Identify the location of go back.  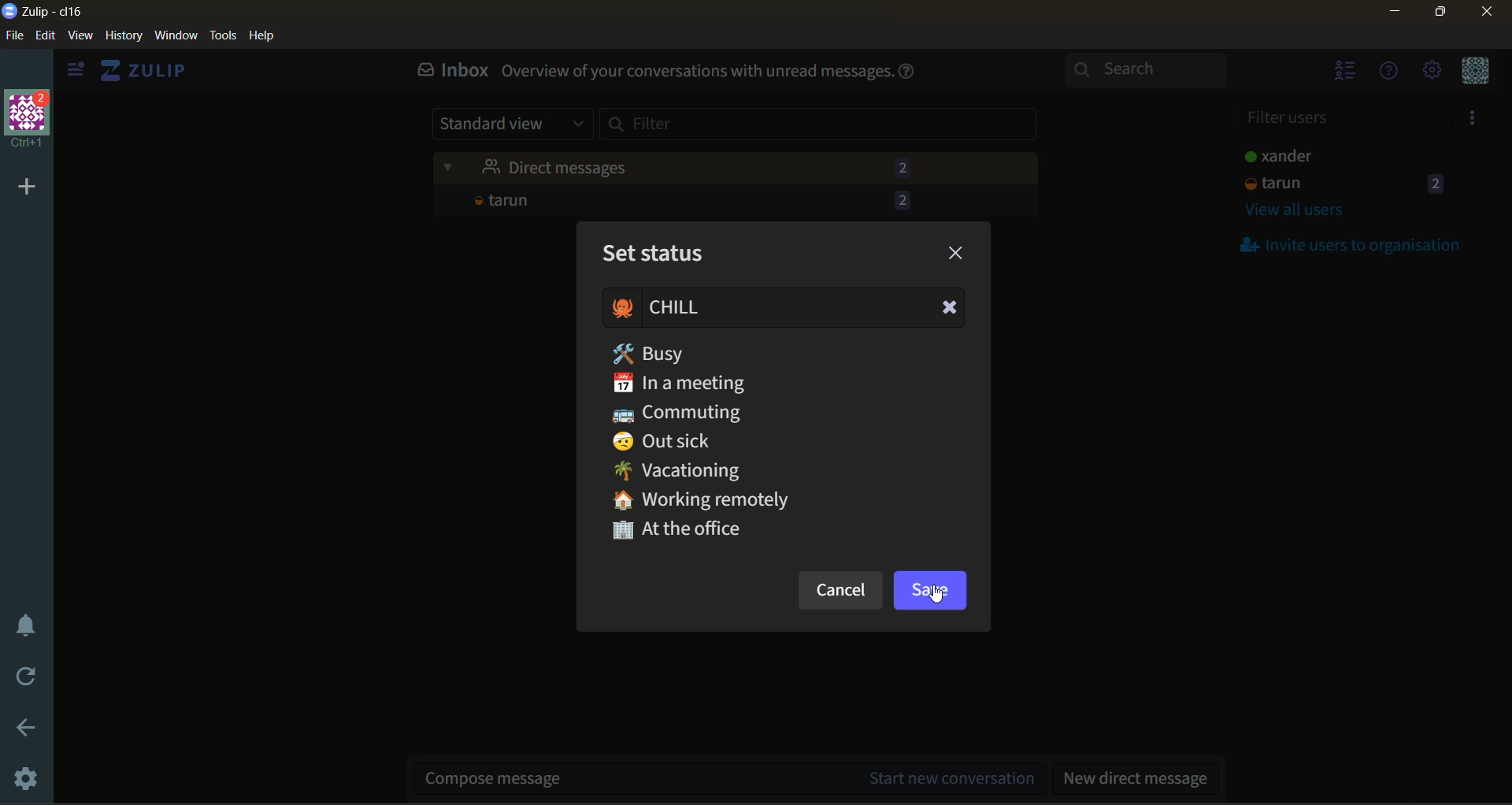
(26, 730).